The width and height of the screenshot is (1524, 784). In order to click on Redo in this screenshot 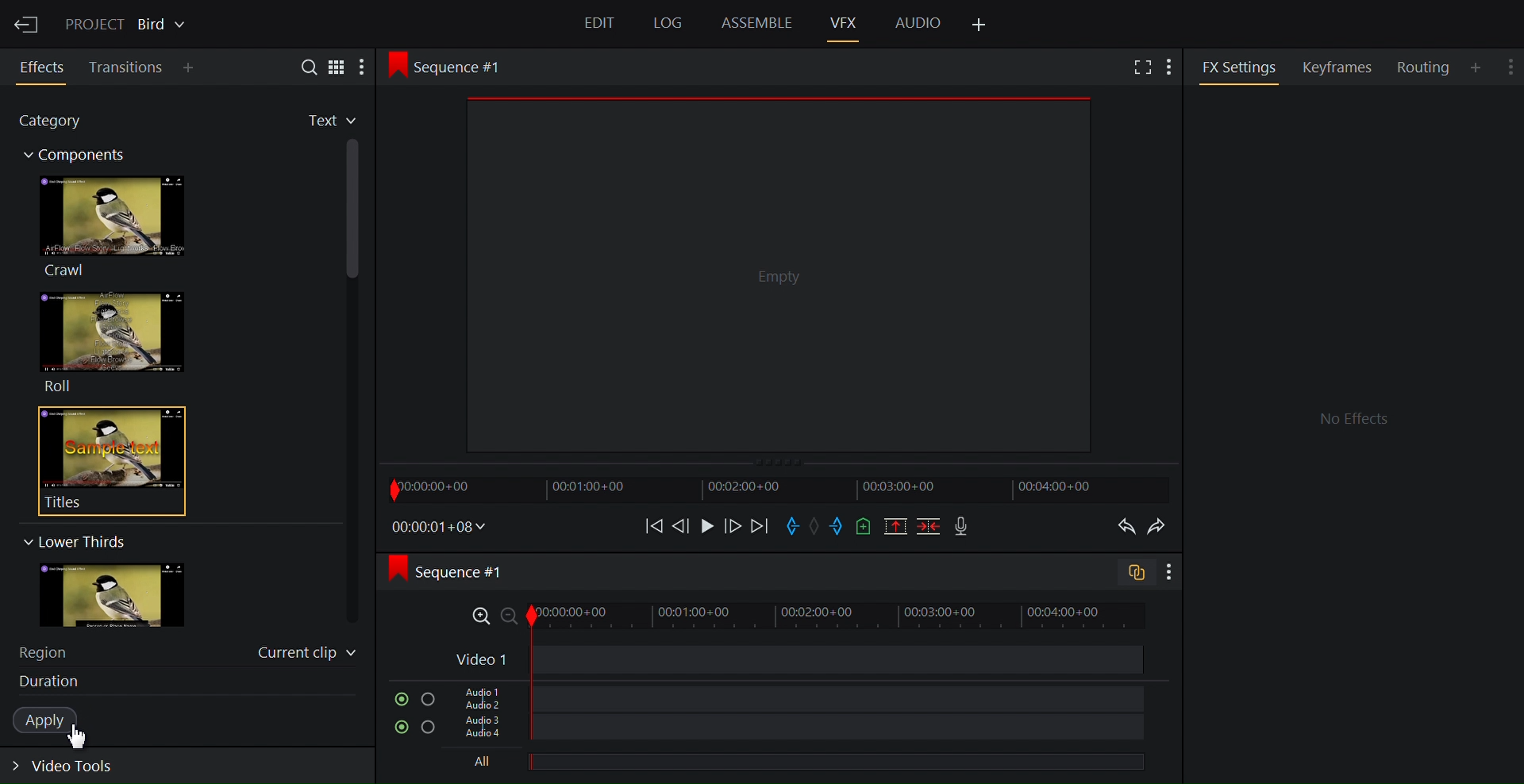, I will do `click(1160, 527)`.